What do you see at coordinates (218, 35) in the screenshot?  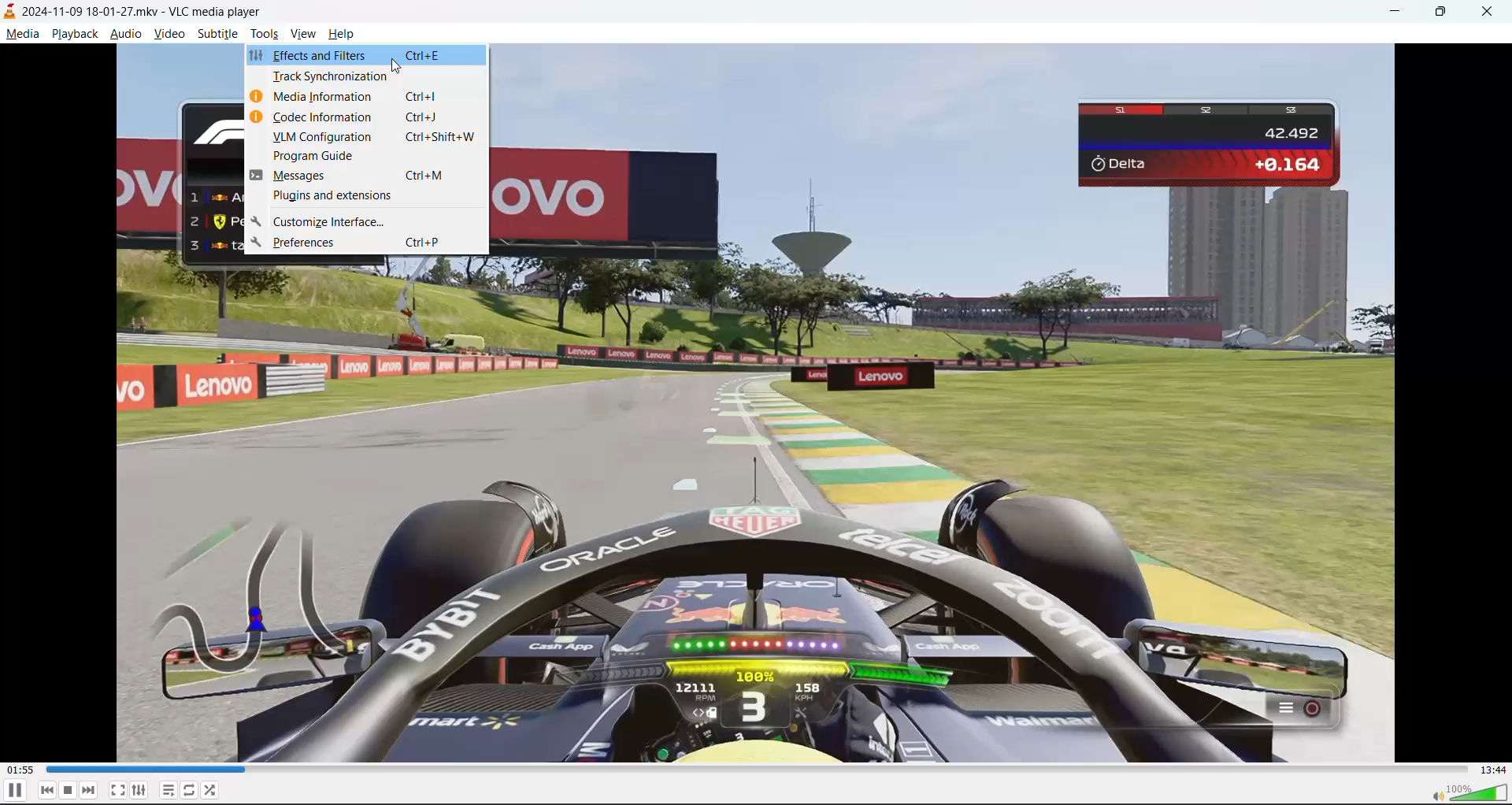 I see `subtitle` at bounding box center [218, 35].